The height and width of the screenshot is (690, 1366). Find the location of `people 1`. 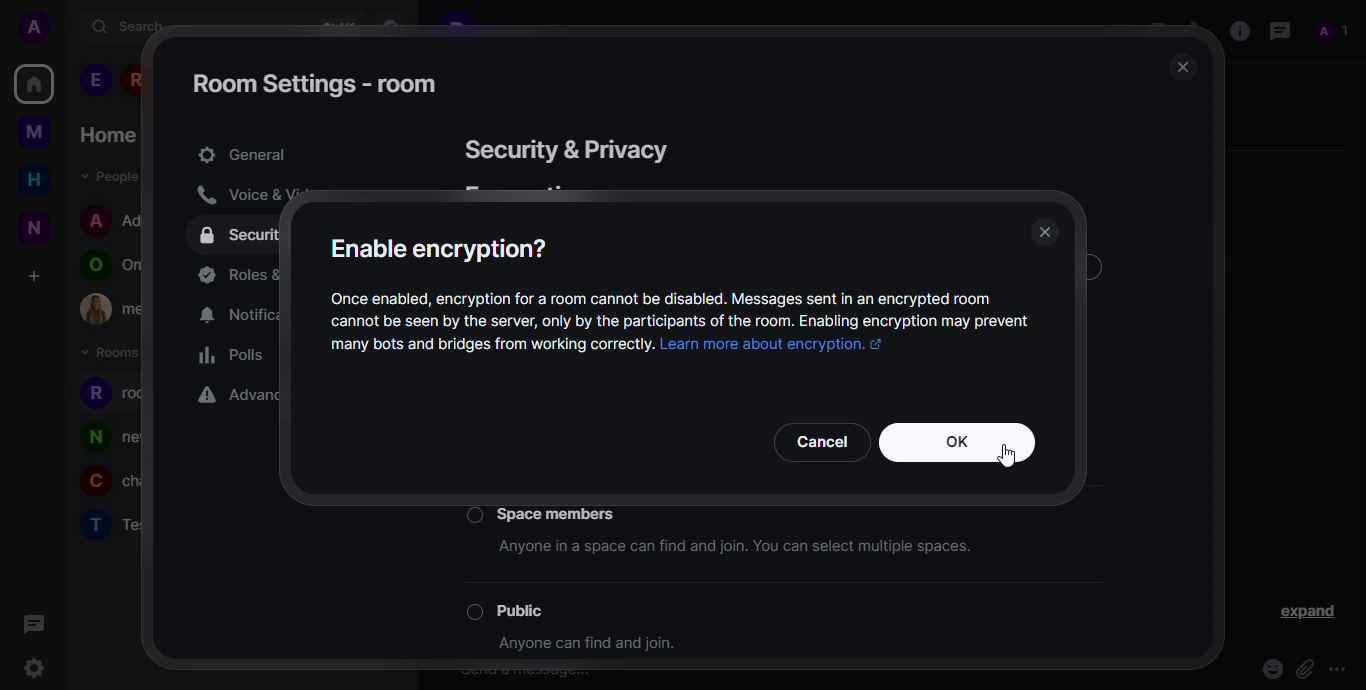

people 1 is located at coordinates (95, 80).